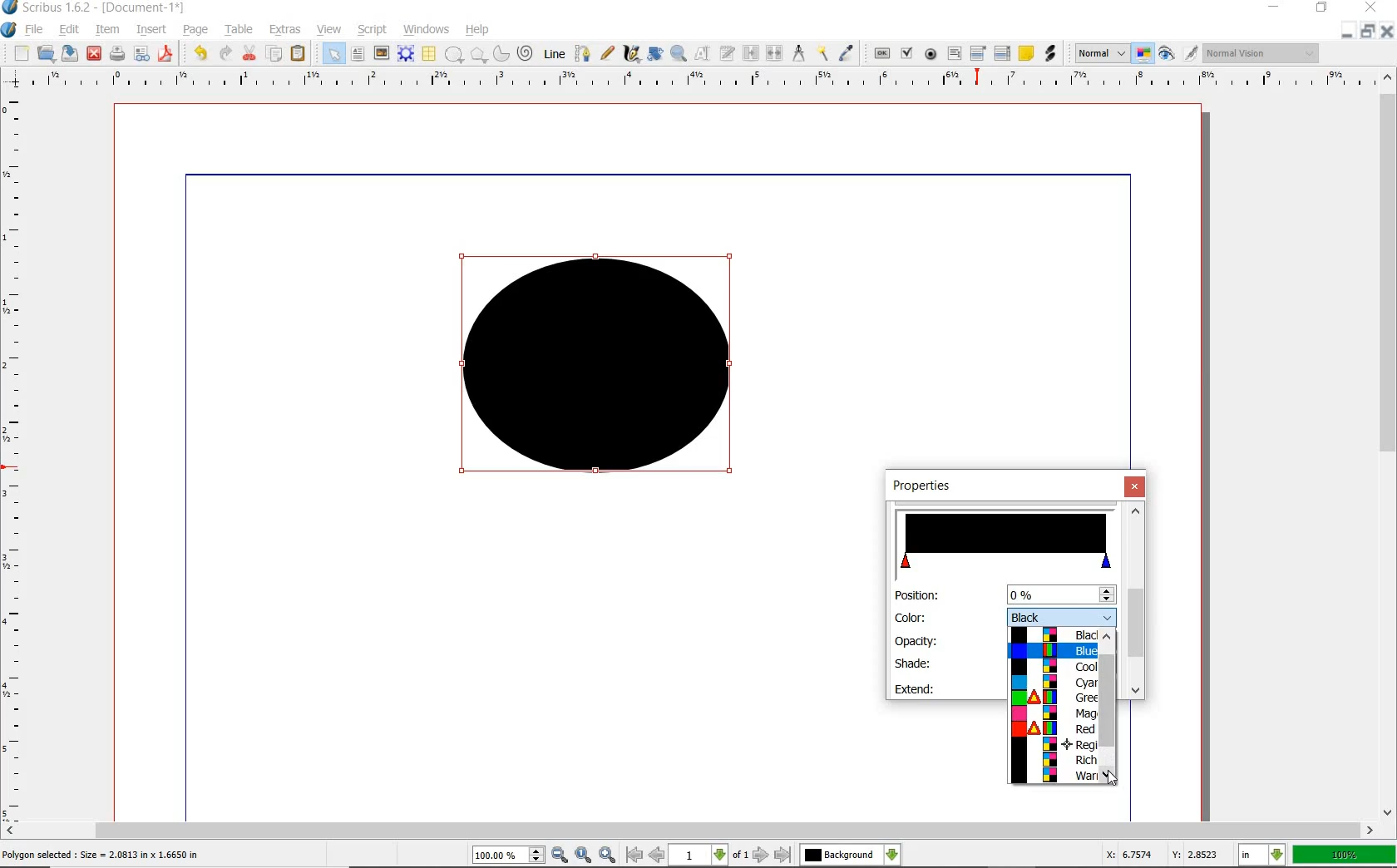 The width and height of the screenshot is (1397, 868). I want to click on cursor, so click(1115, 777).